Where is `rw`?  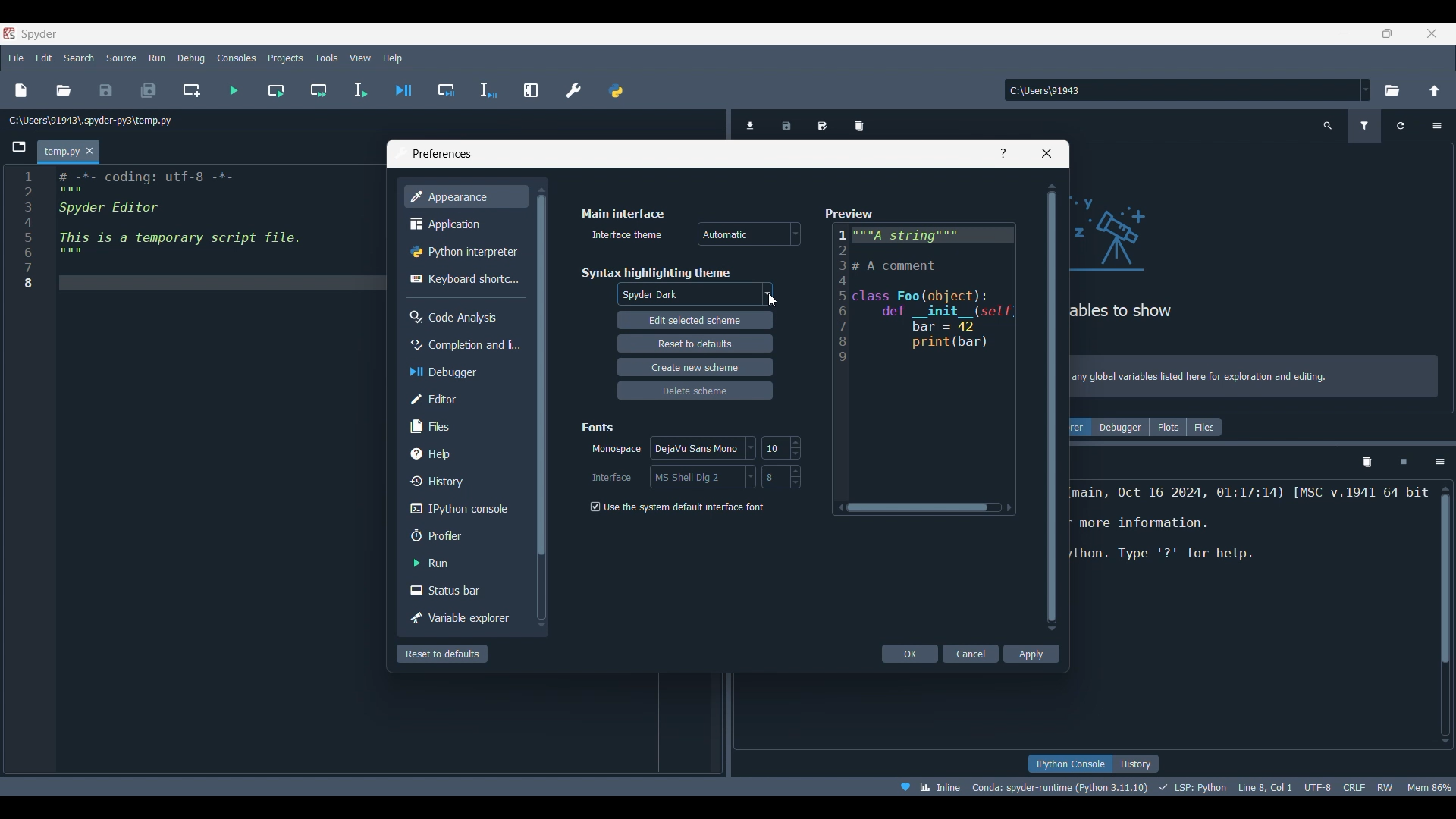 rw is located at coordinates (1386, 786).